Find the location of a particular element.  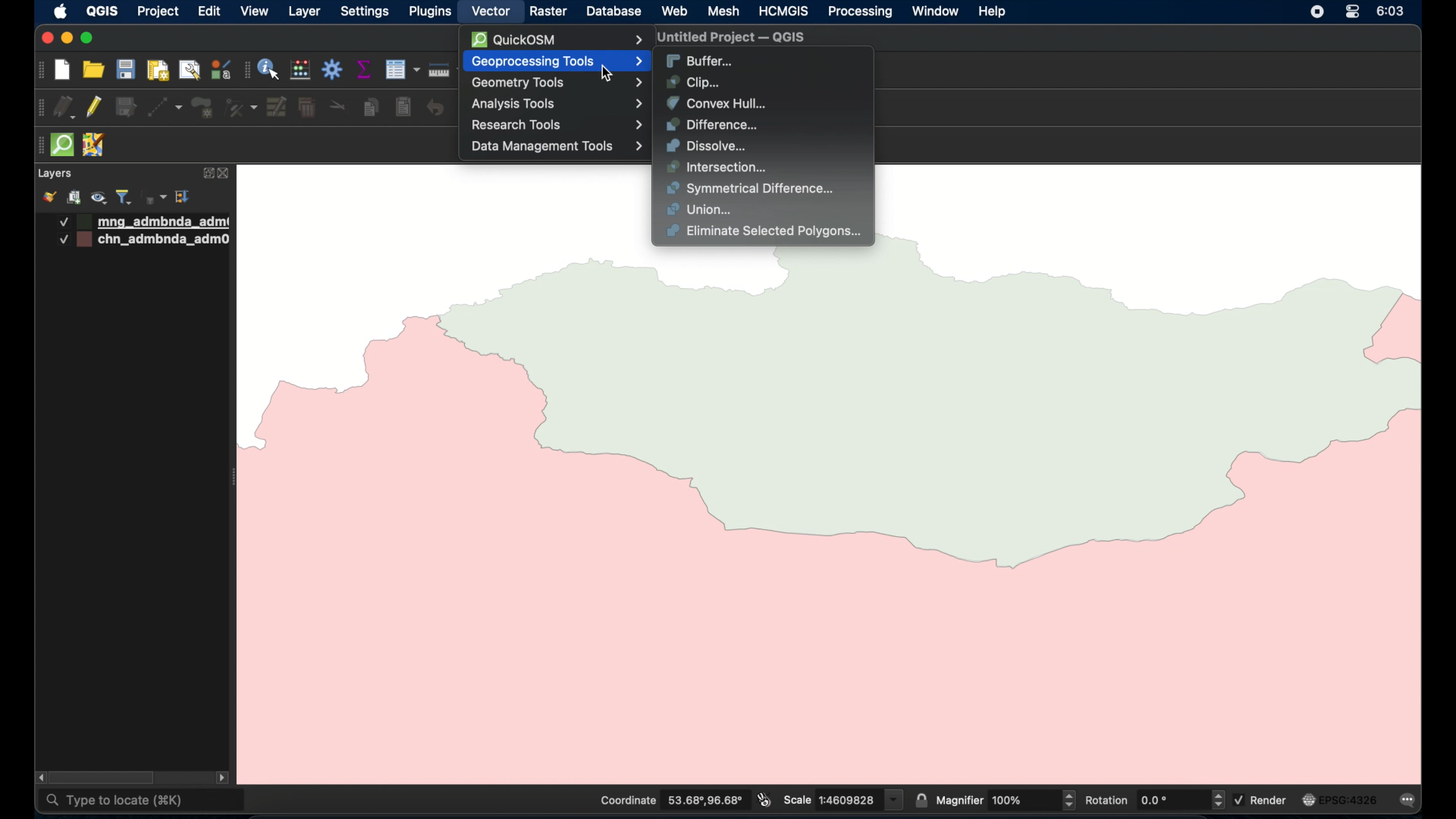

quick osm is located at coordinates (63, 145).